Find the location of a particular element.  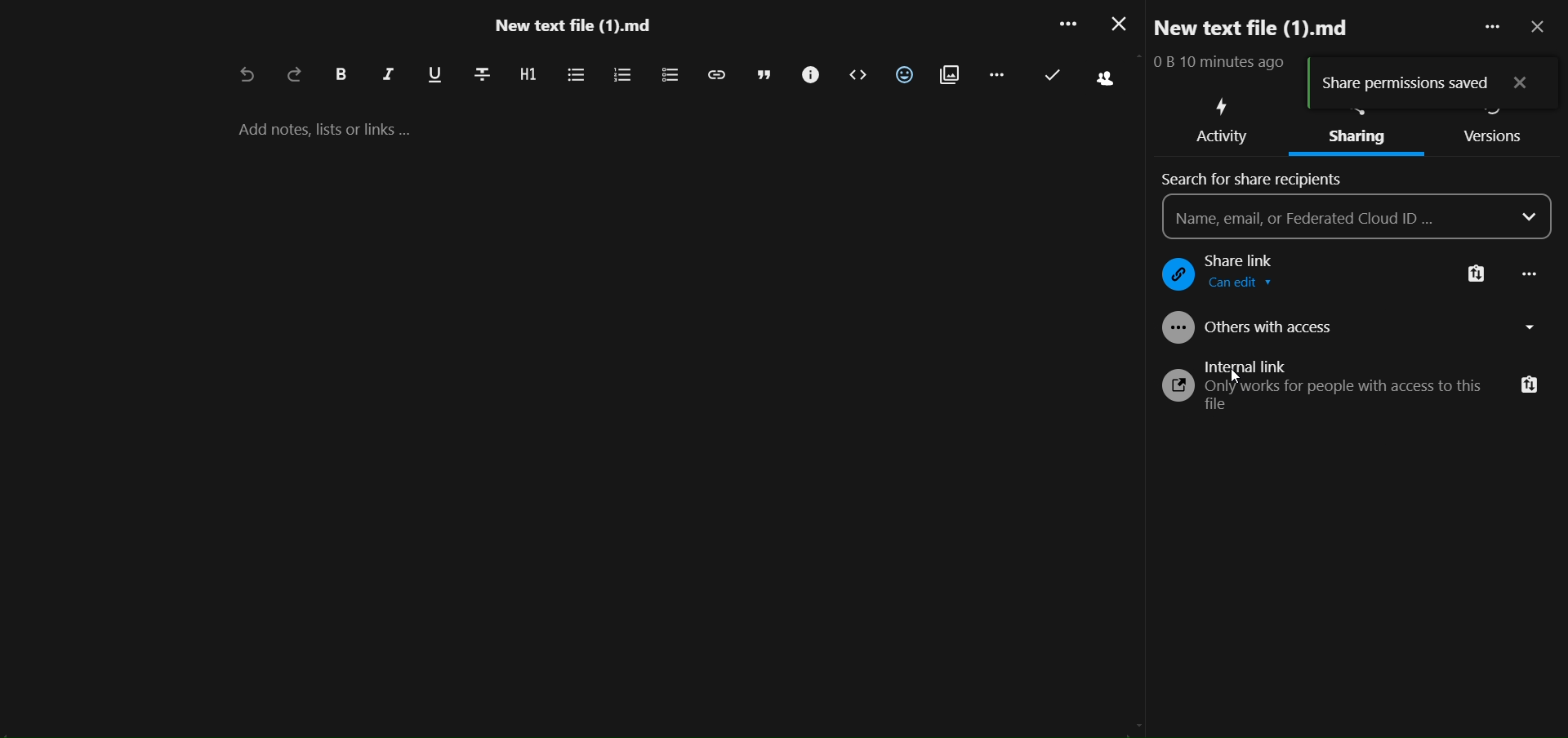

to do list is located at coordinates (668, 76).